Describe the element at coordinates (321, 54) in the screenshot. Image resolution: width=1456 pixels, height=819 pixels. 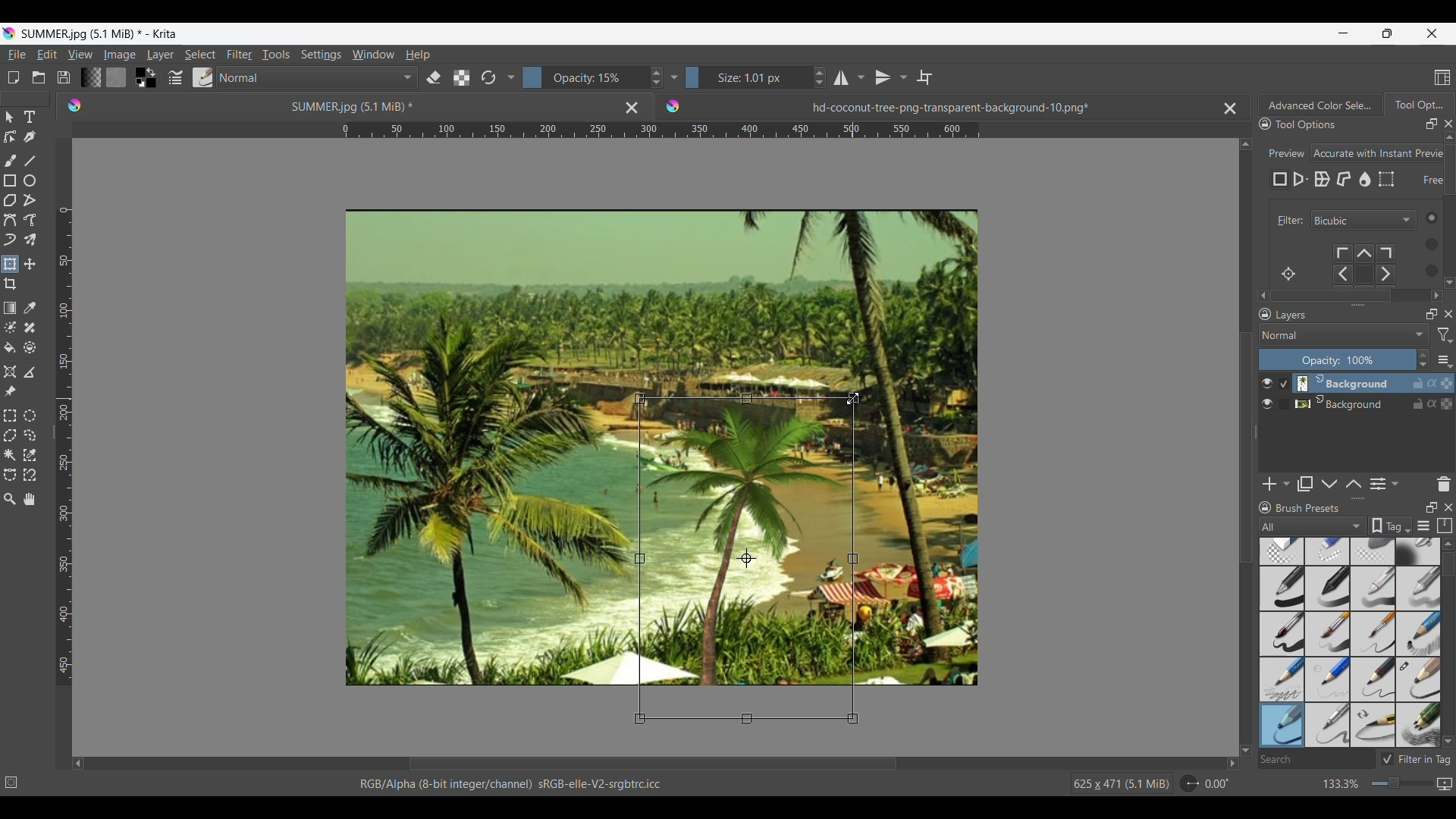
I see `Settings` at that location.